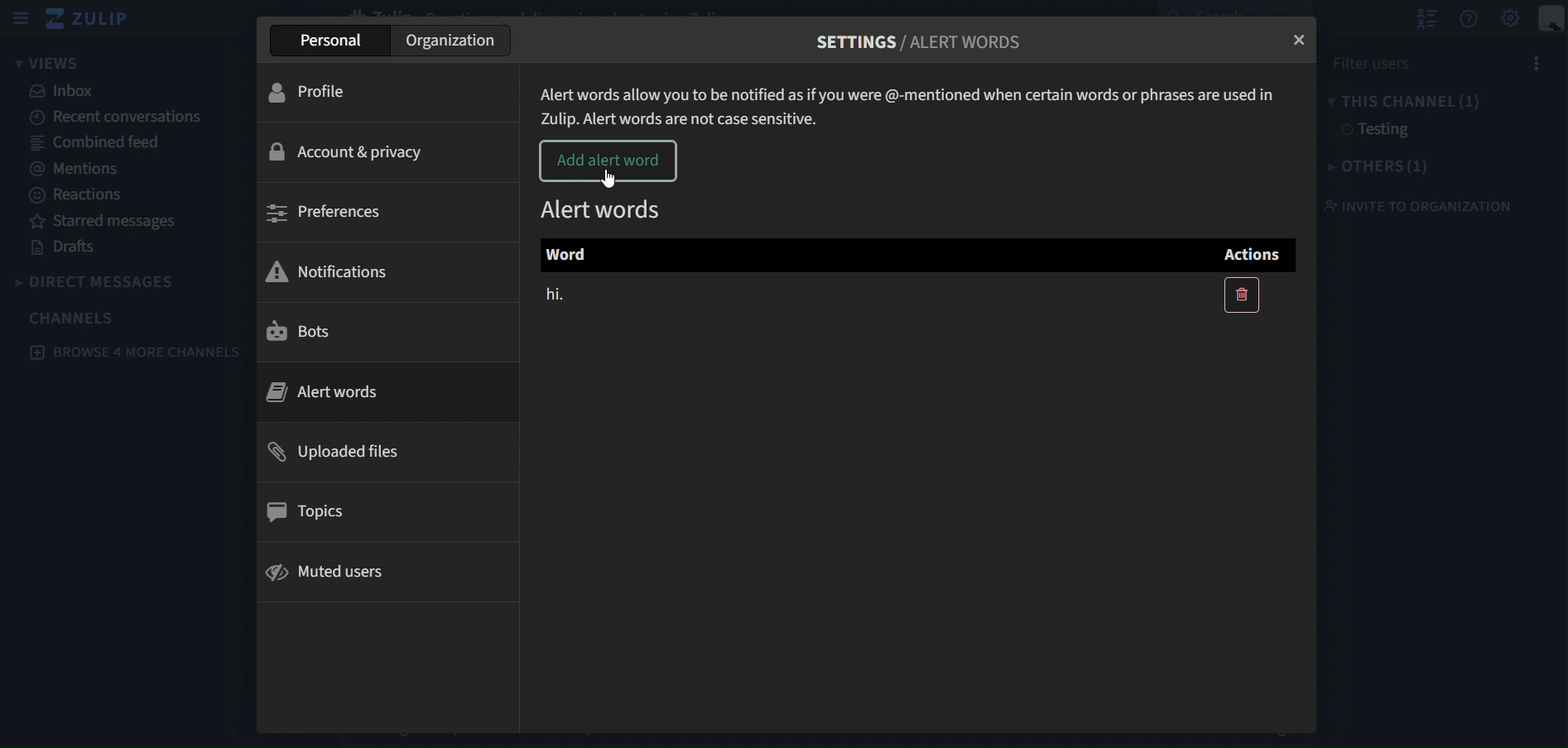 The width and height of the screenshot is (1568, 748). Describe the element at coordinates (330, 575) in the screenshot. I see `muted users` at that location.